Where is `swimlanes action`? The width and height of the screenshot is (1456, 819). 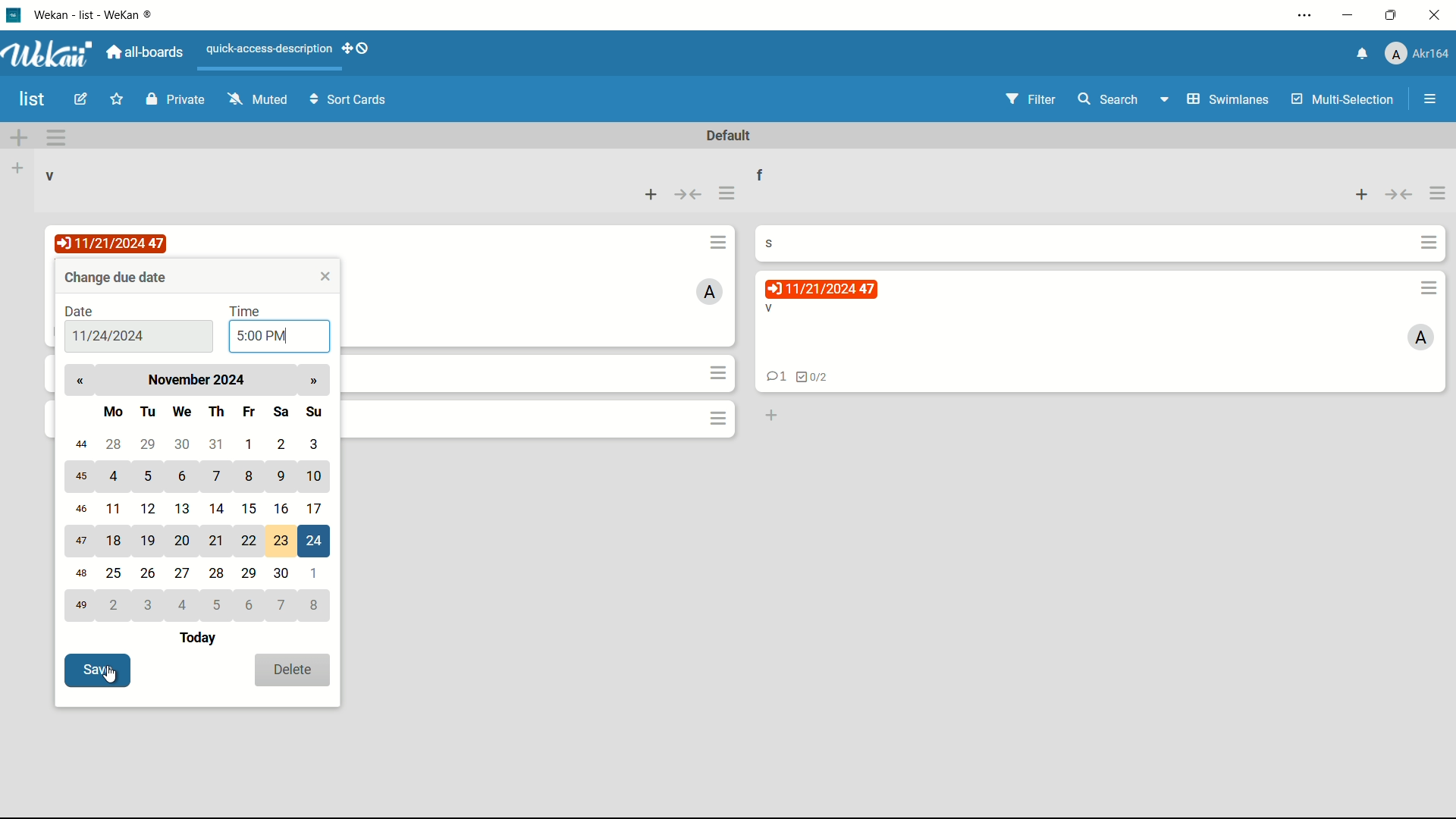 swimlanes action is located at coordinates (56, 137).